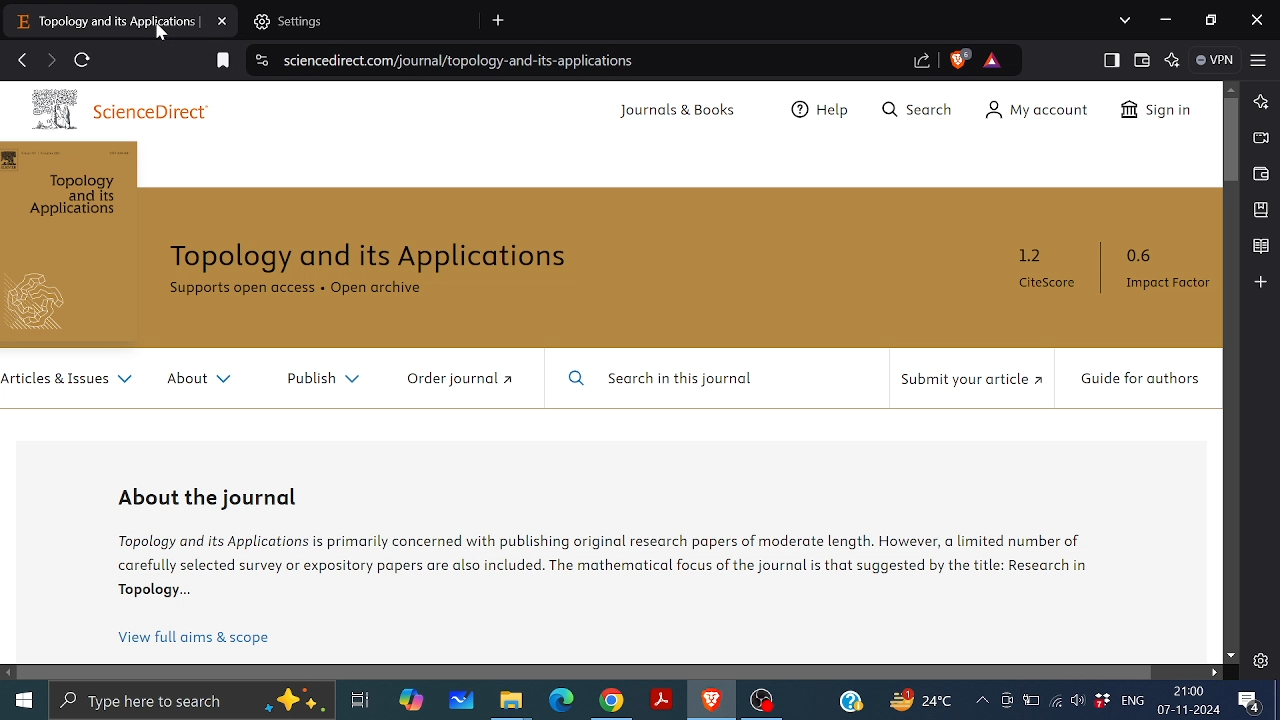 This screenshot has width=1280, height=720. Describe the element at coordinates (84, 61) in the screenshot. I see `Reload` at that location.